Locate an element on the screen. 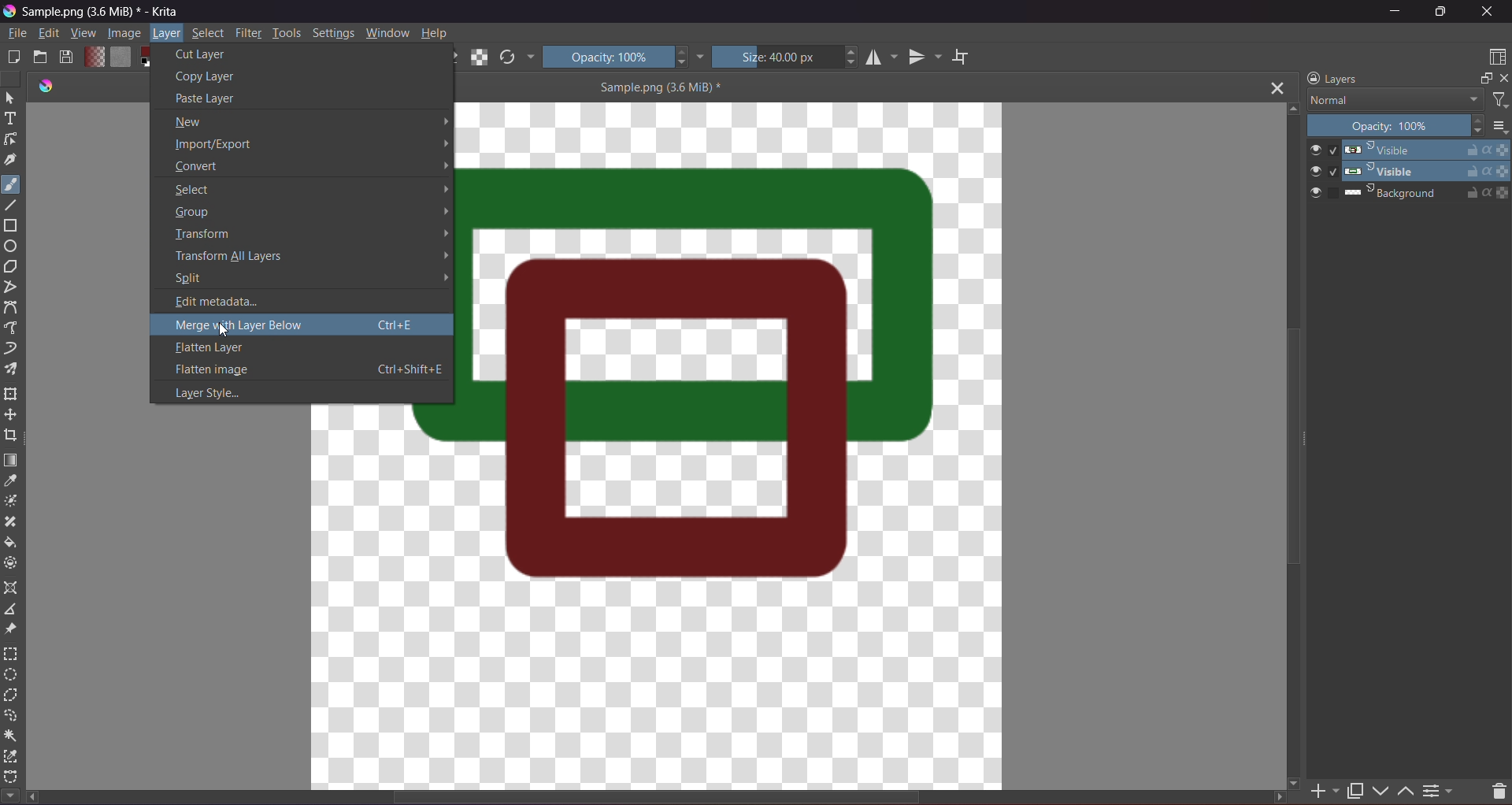 This screenshot has width=1512, height=805. Freehand Brush is located at coordinates (11, 182).